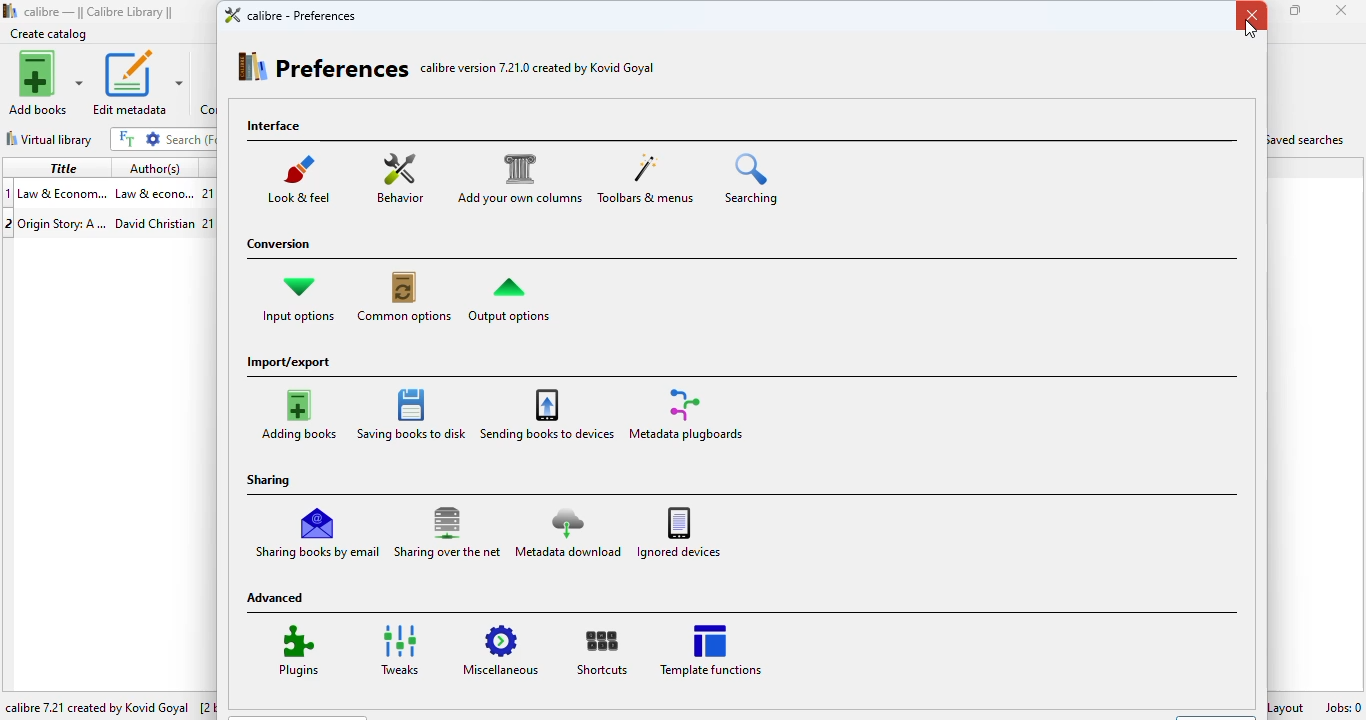 The image size is (1366, 720). Describe the element at coordinates (679, 530) in the screenshot. I see `ignored devices` at that location.